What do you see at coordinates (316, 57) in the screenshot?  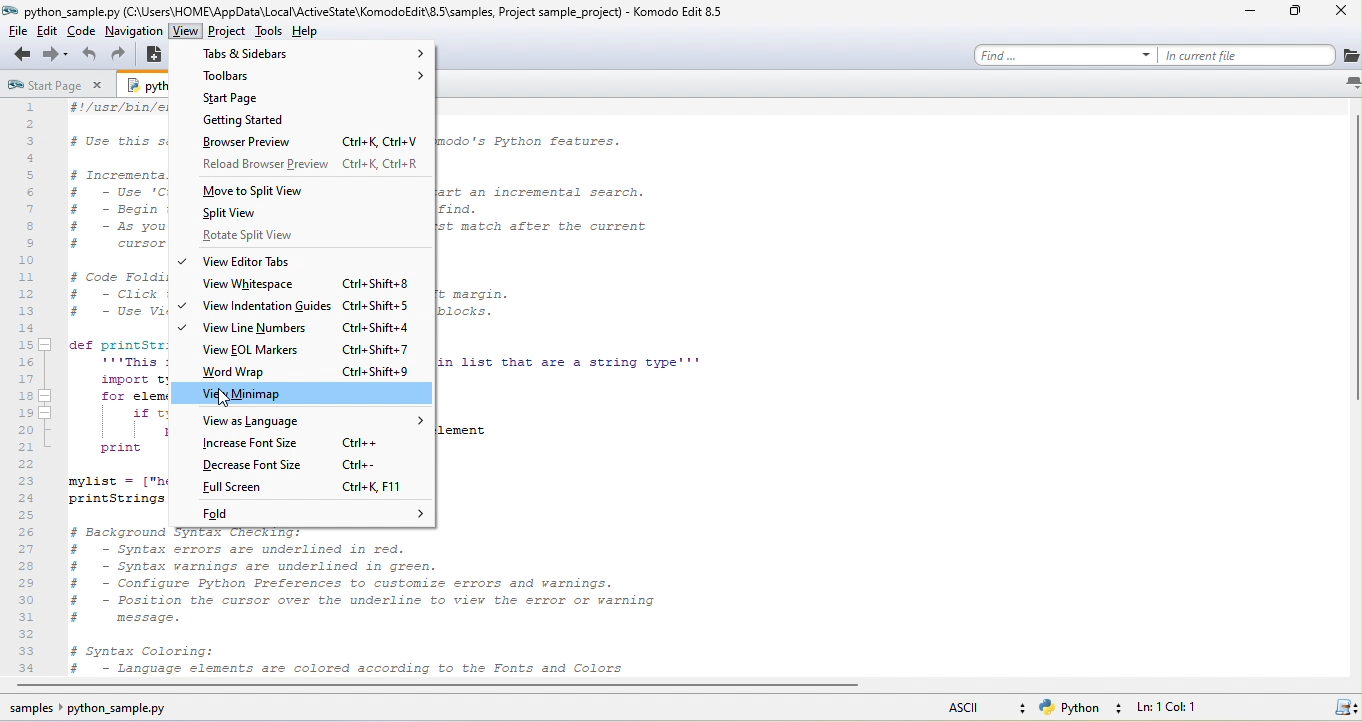 I see `tab and sidebar` at bounding box center [316, 57].